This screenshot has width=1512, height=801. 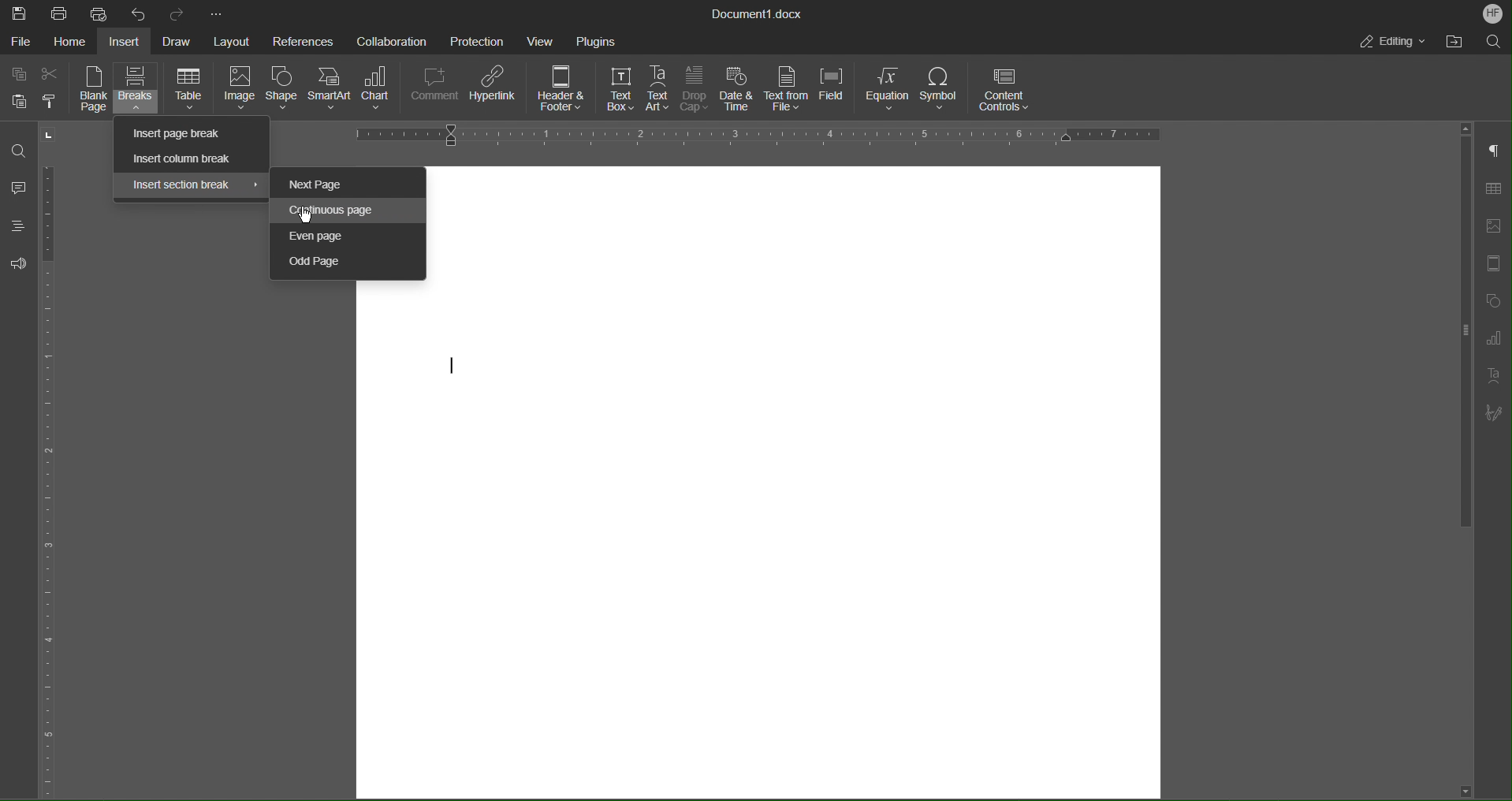 What do you see at coordinates (99, 13) in the screenshot?
I see `Quick Print` at bounding box center [99, 13].